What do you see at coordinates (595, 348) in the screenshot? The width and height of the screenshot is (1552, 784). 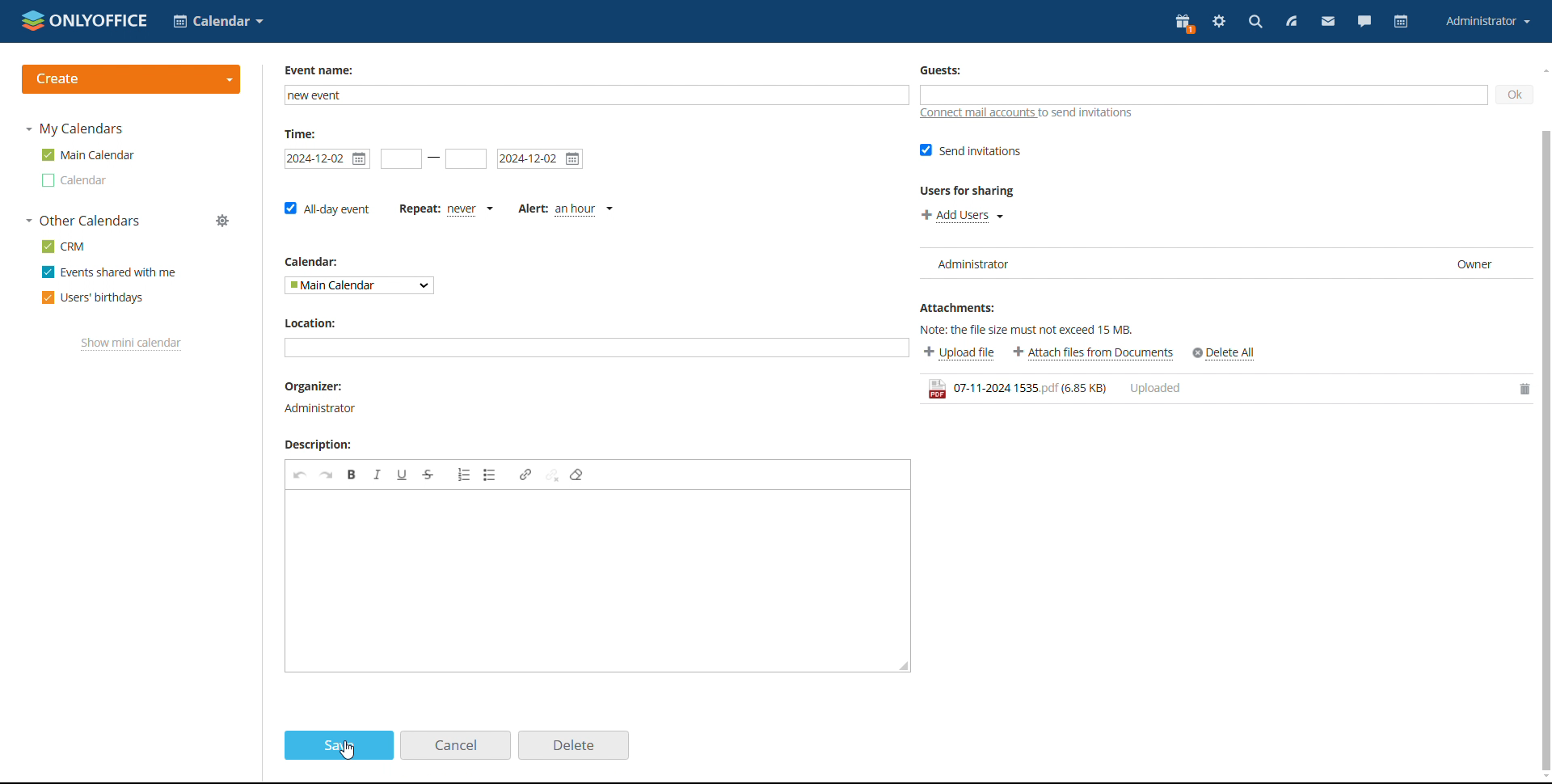 I see `add location` at bounding box center [595, 348].